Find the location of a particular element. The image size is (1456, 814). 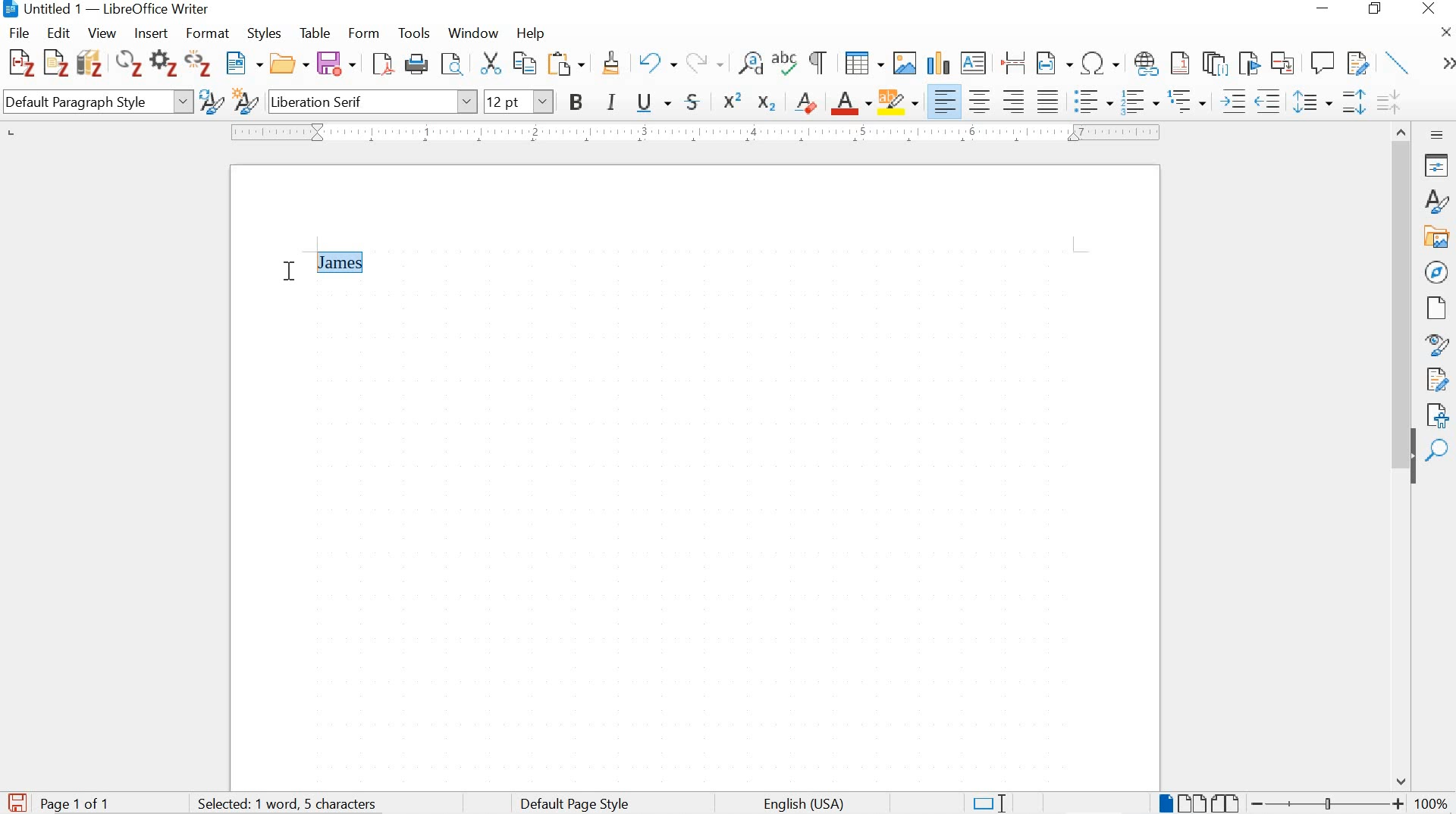

tools is located at coordinates (415, 33).